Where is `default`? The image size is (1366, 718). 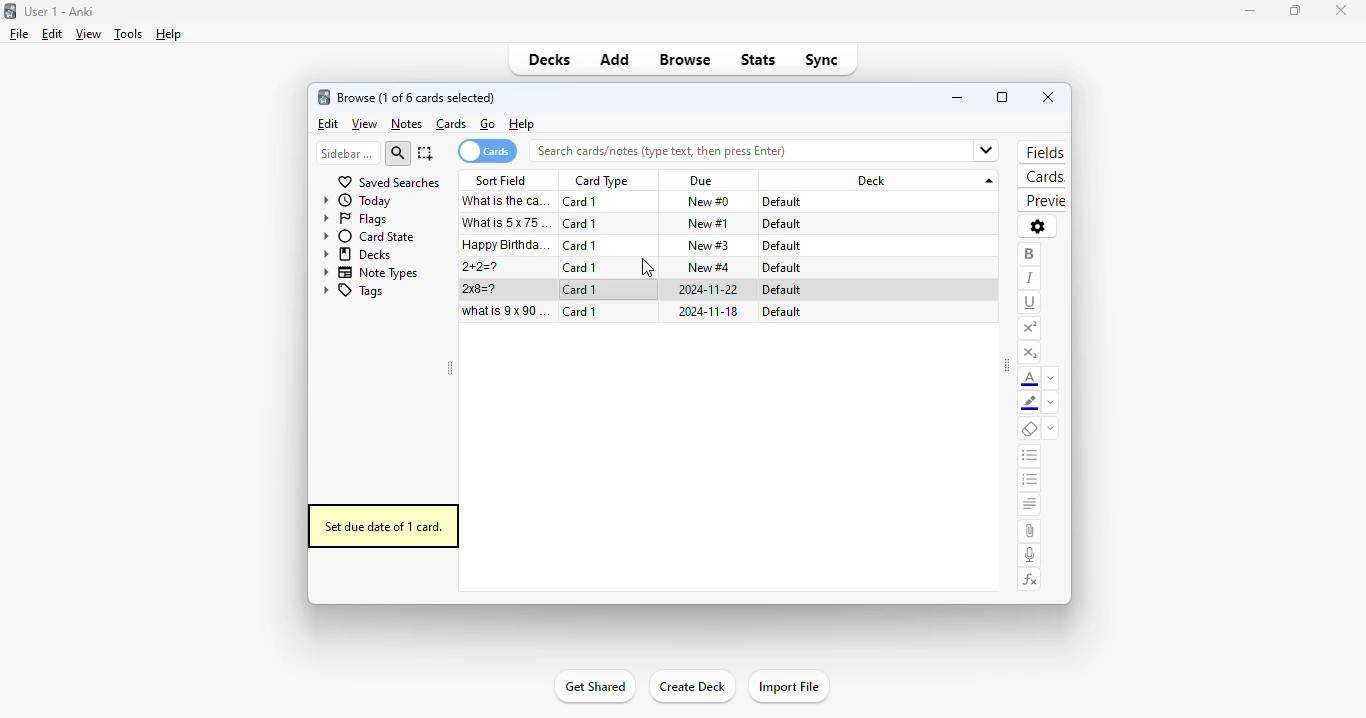
default is located at coordinates (781, 224).